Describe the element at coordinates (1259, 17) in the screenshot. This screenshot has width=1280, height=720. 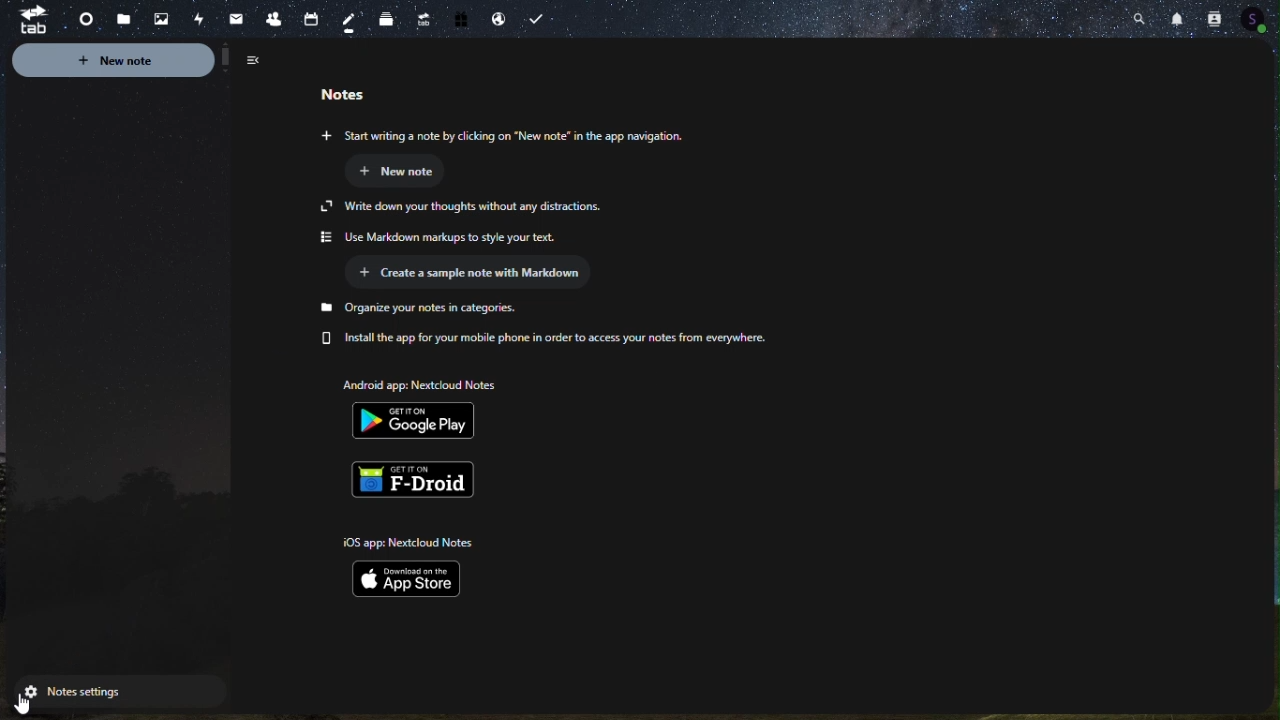
I see `Profile` at that location.